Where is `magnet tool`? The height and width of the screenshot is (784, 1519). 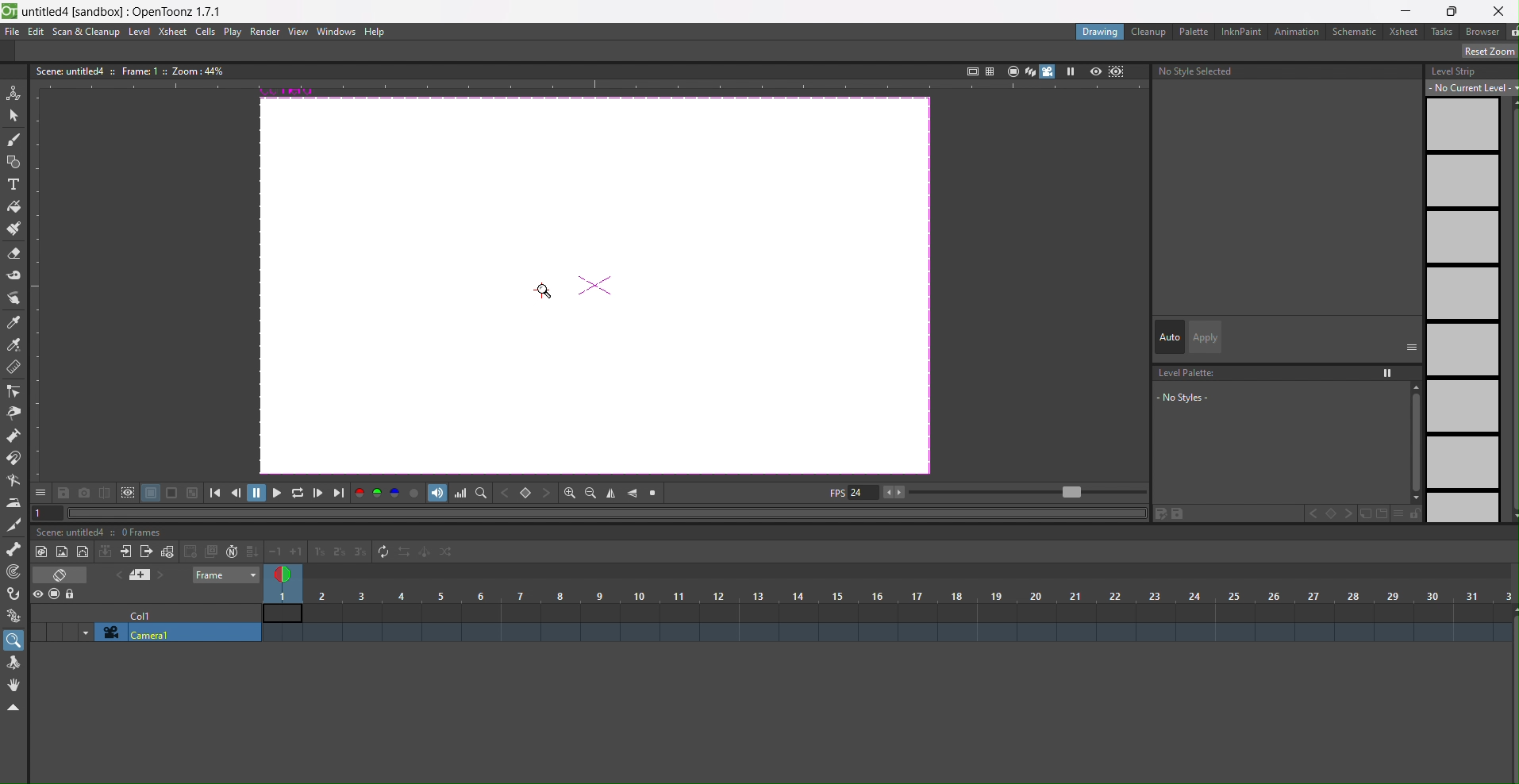 magnet tool is located at coordinates (15, 459).